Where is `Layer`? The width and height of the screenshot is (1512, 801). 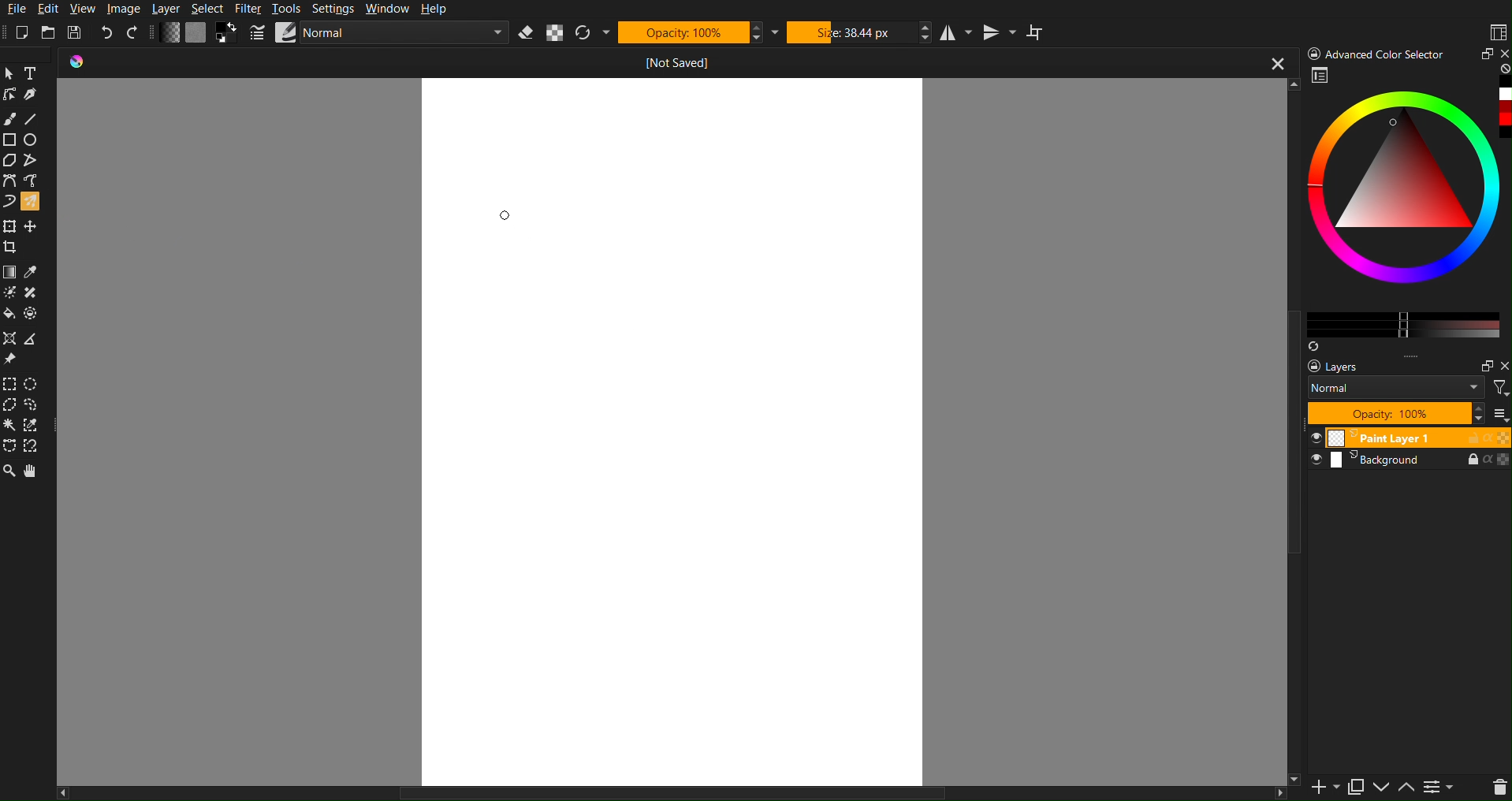 Layer is located at coordinates (171, 9).